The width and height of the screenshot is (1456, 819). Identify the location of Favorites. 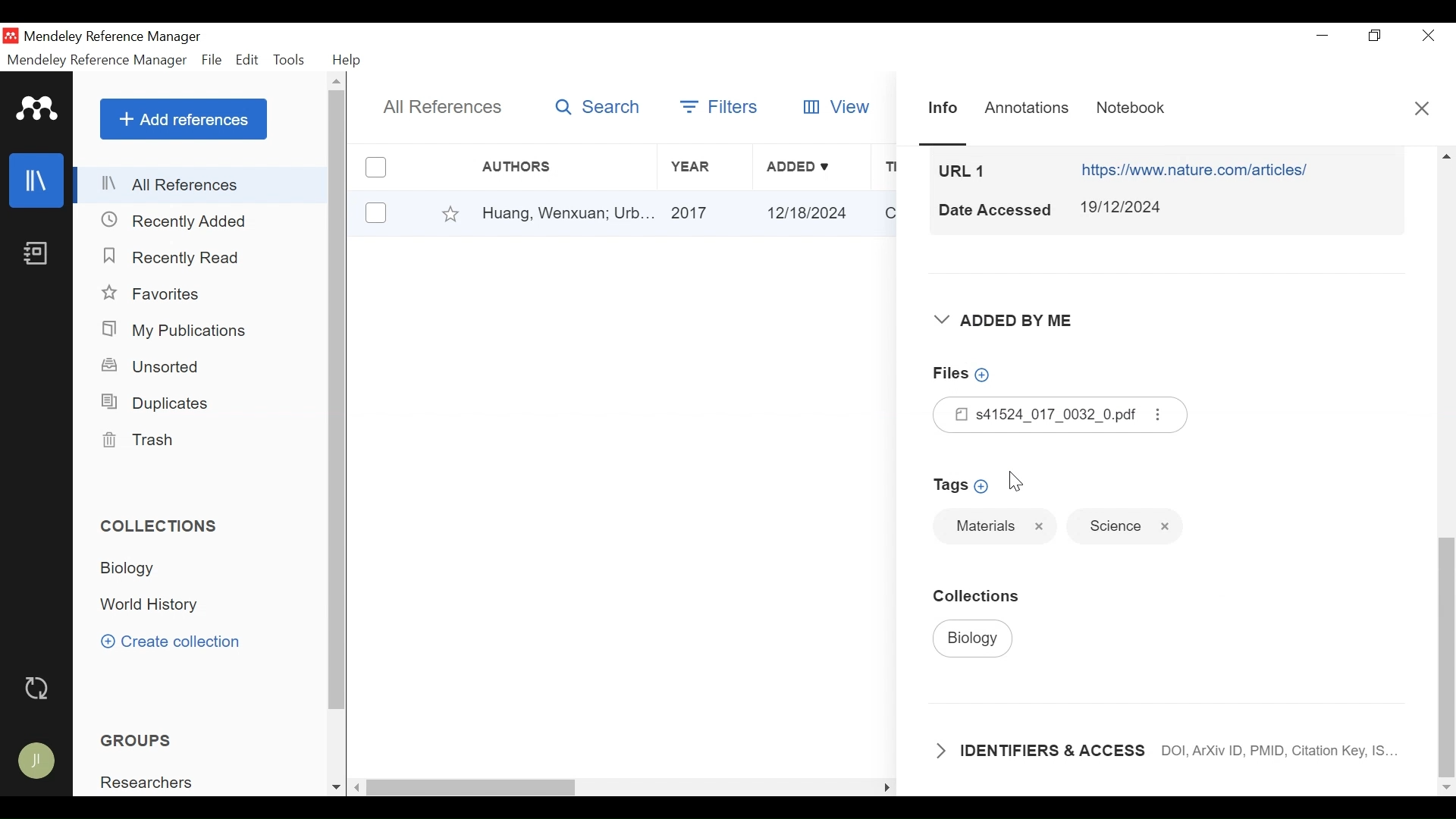
(451, 212).